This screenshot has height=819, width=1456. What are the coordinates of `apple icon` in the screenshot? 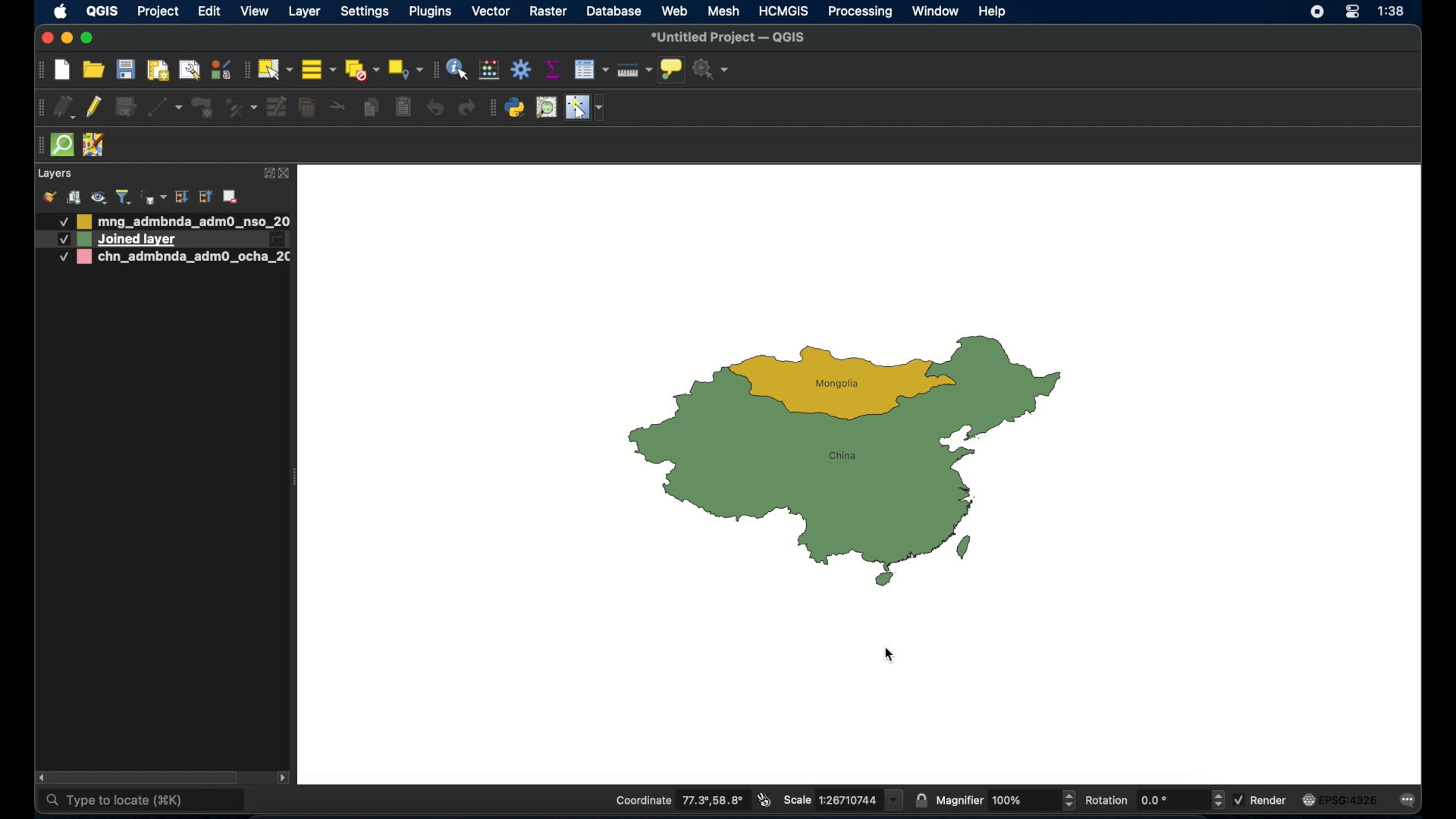 It's located at (60, 11).